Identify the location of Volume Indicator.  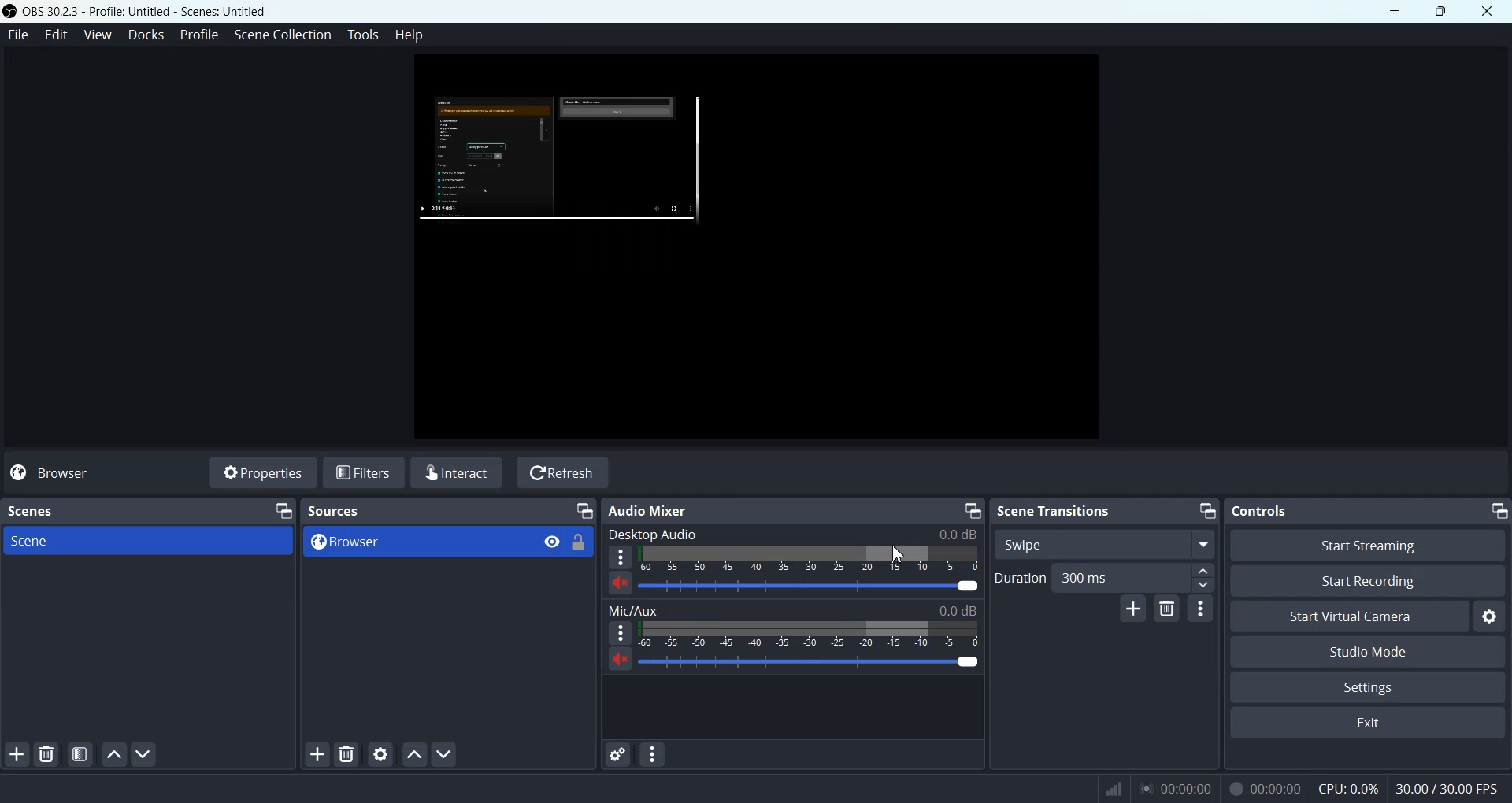
(813, 558).